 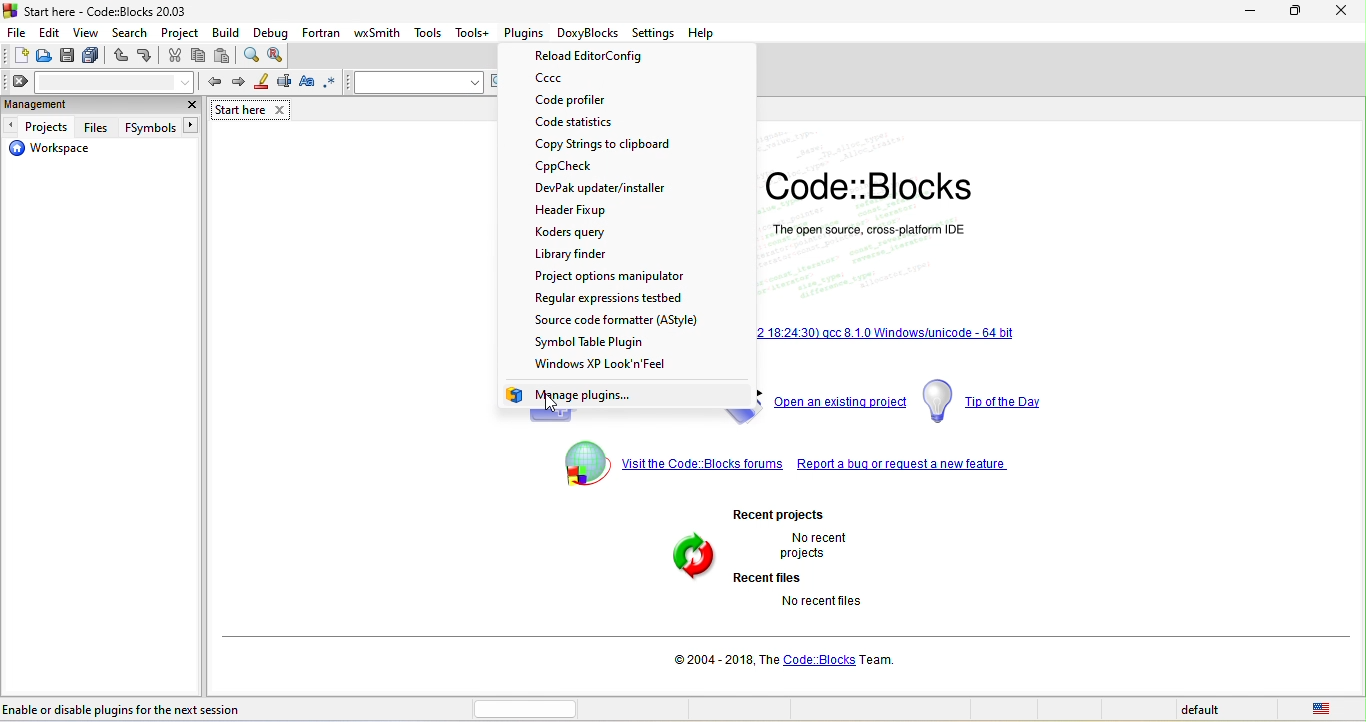 I want to click on management, so click(x=85, y=105).